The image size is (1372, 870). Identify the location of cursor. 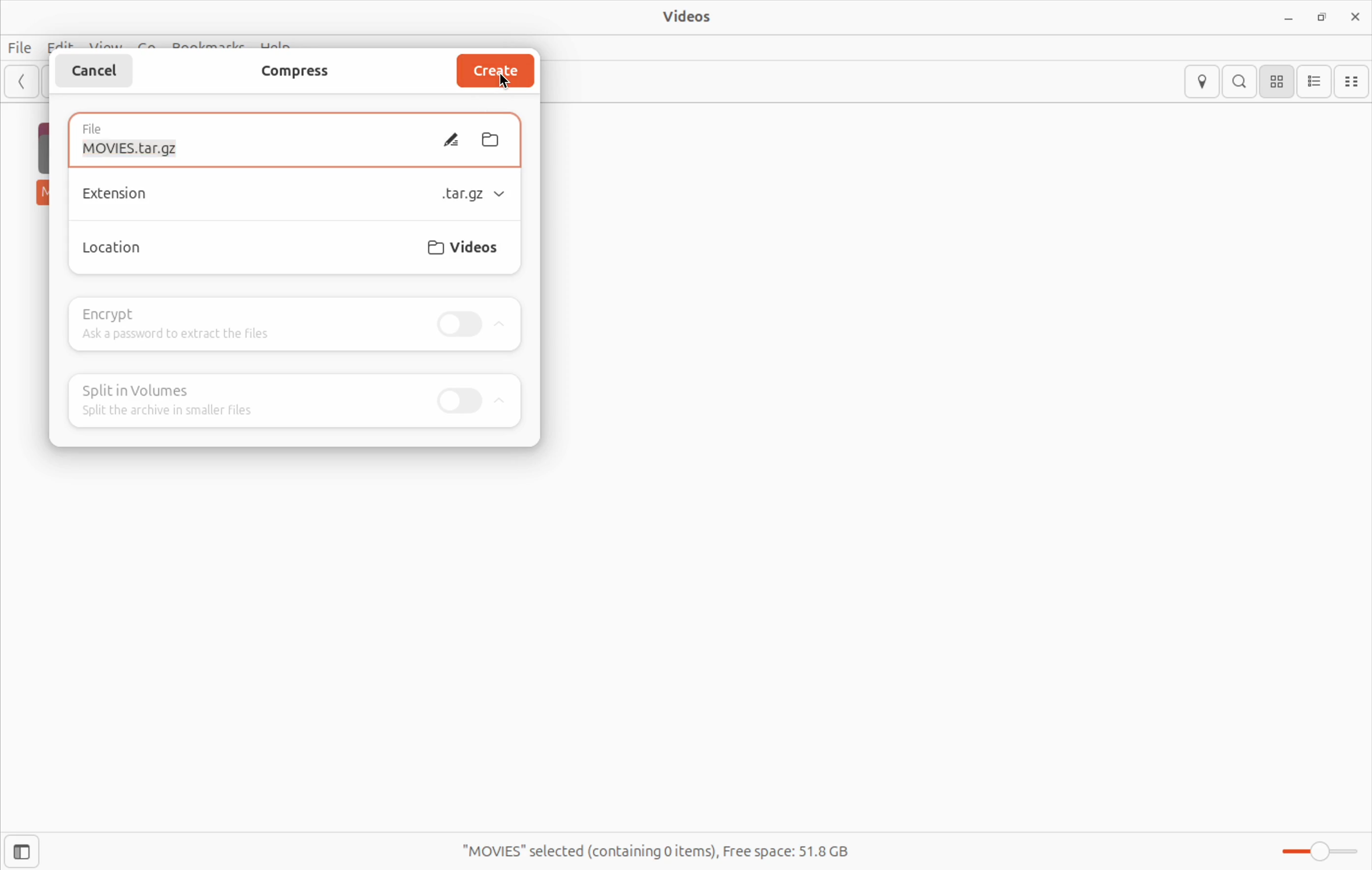
(507, 84).